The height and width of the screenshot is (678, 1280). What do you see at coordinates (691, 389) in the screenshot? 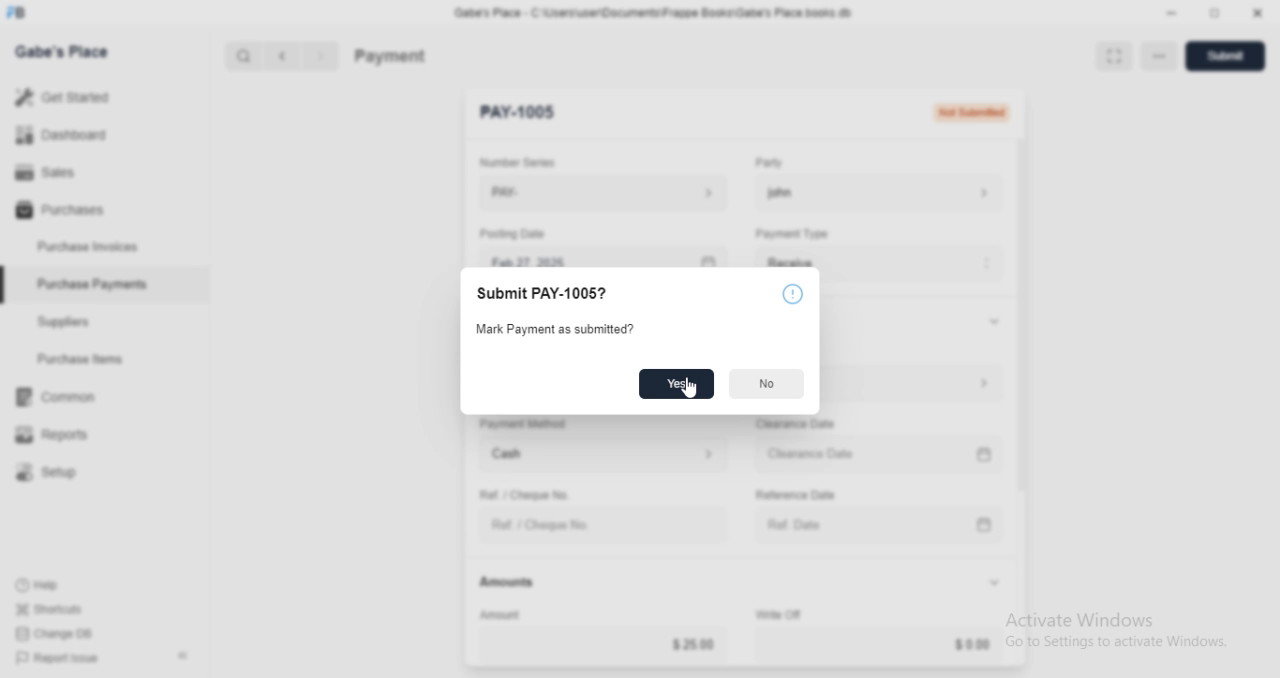
I see `cursor` at bounding box center [691, 389].